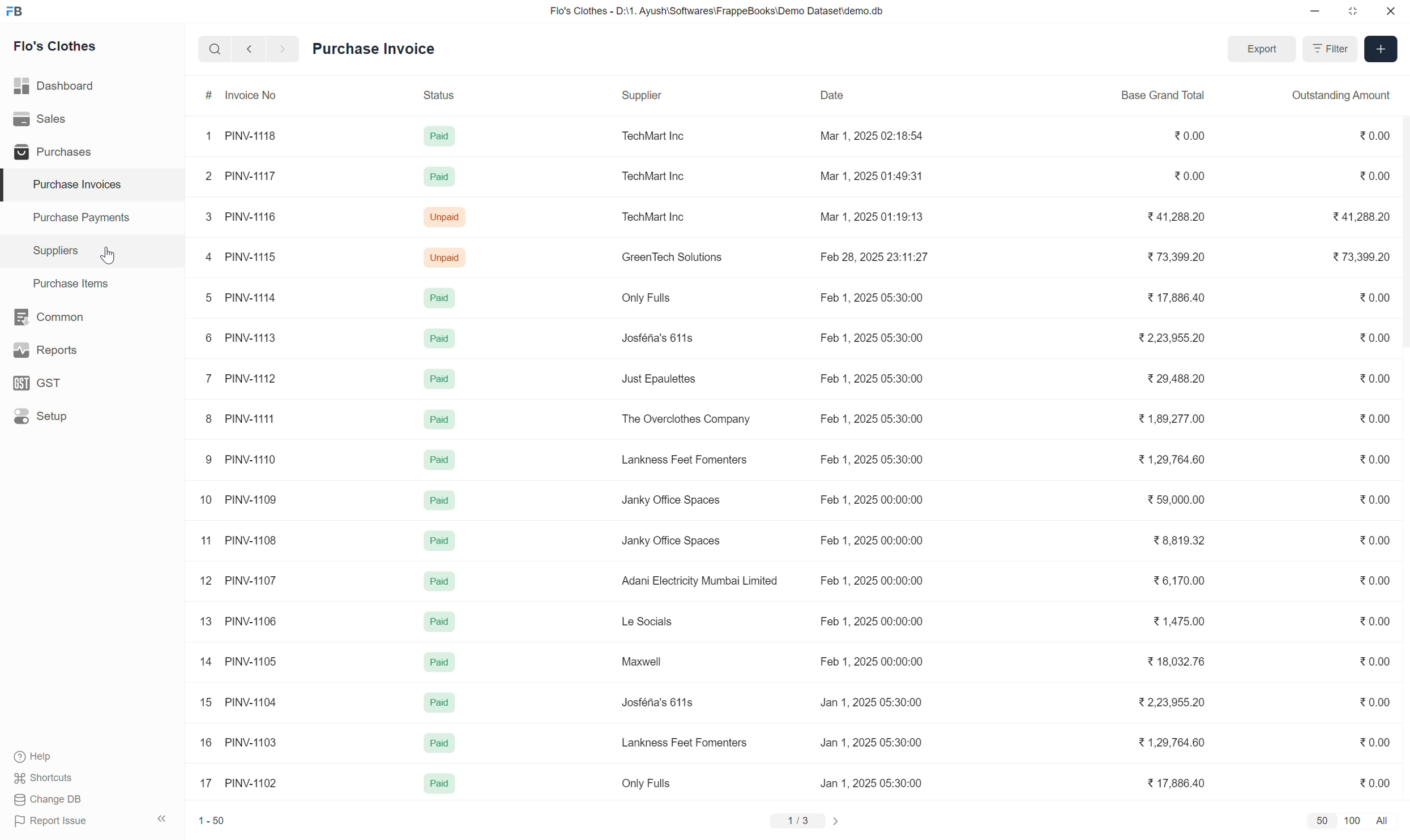 The image size is (1410, 840). What do you see at coordinates (642, 93) in the screenshot?
I see `Supplier` at bounding box center [642, 93].